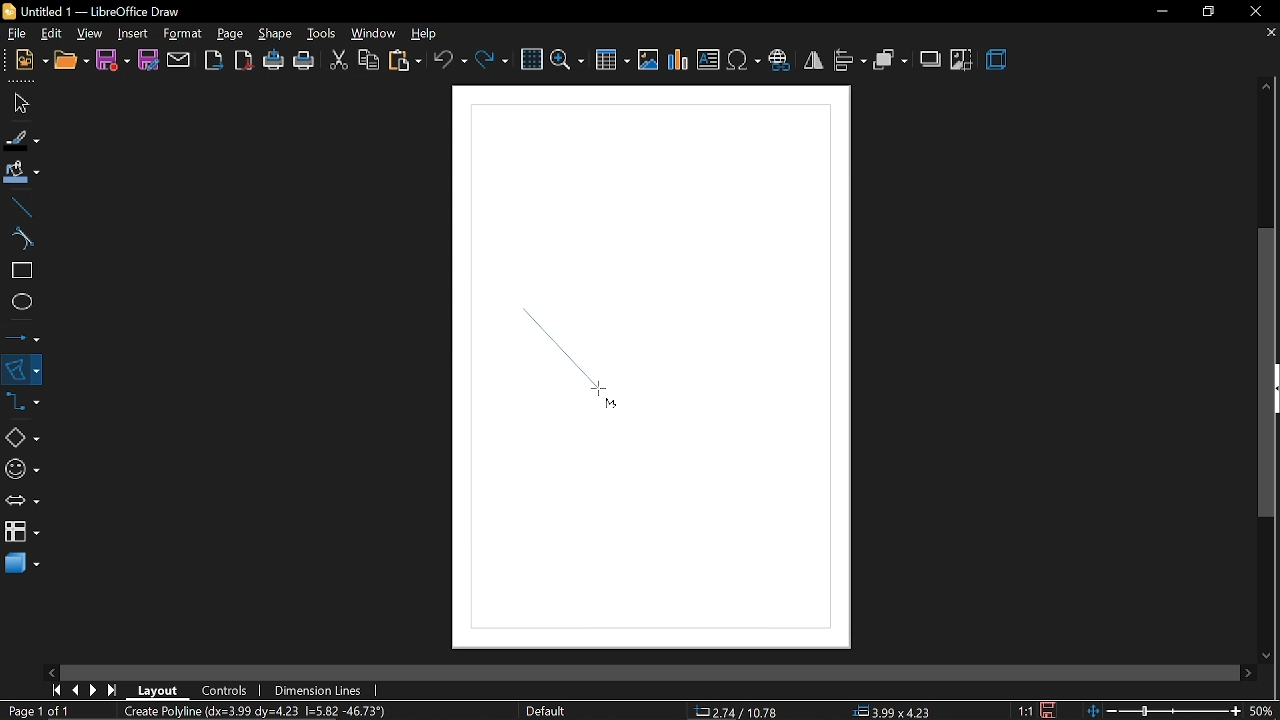 Image resolution: width=1280 pixels, height=720 pixels. I want to click on controls, so click(228, 689).